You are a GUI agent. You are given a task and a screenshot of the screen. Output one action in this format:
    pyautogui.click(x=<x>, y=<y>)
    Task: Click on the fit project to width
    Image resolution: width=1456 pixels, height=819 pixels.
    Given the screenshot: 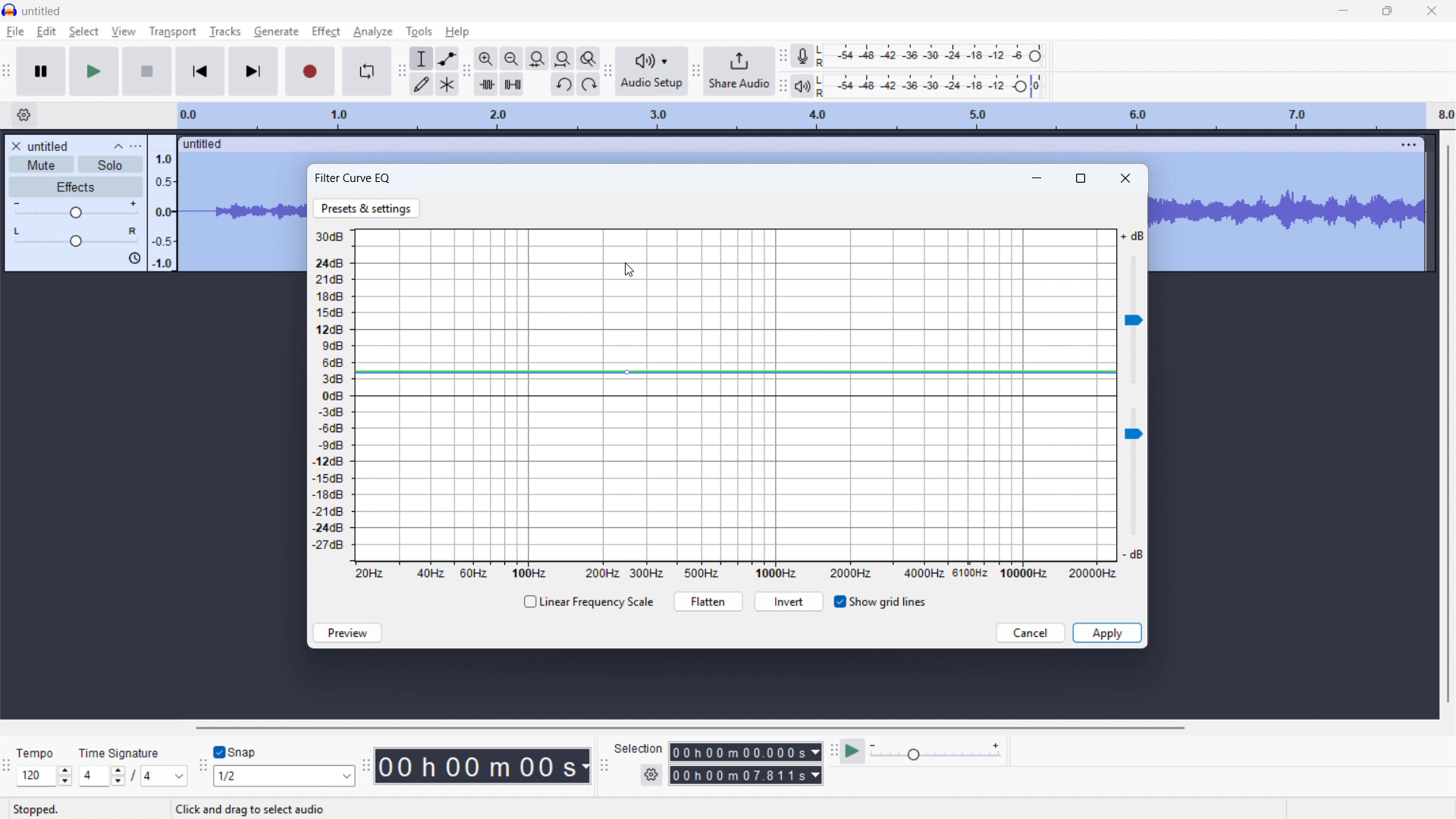 What is the action you would take?
    pyautogui.click(x=562, y=58)
    